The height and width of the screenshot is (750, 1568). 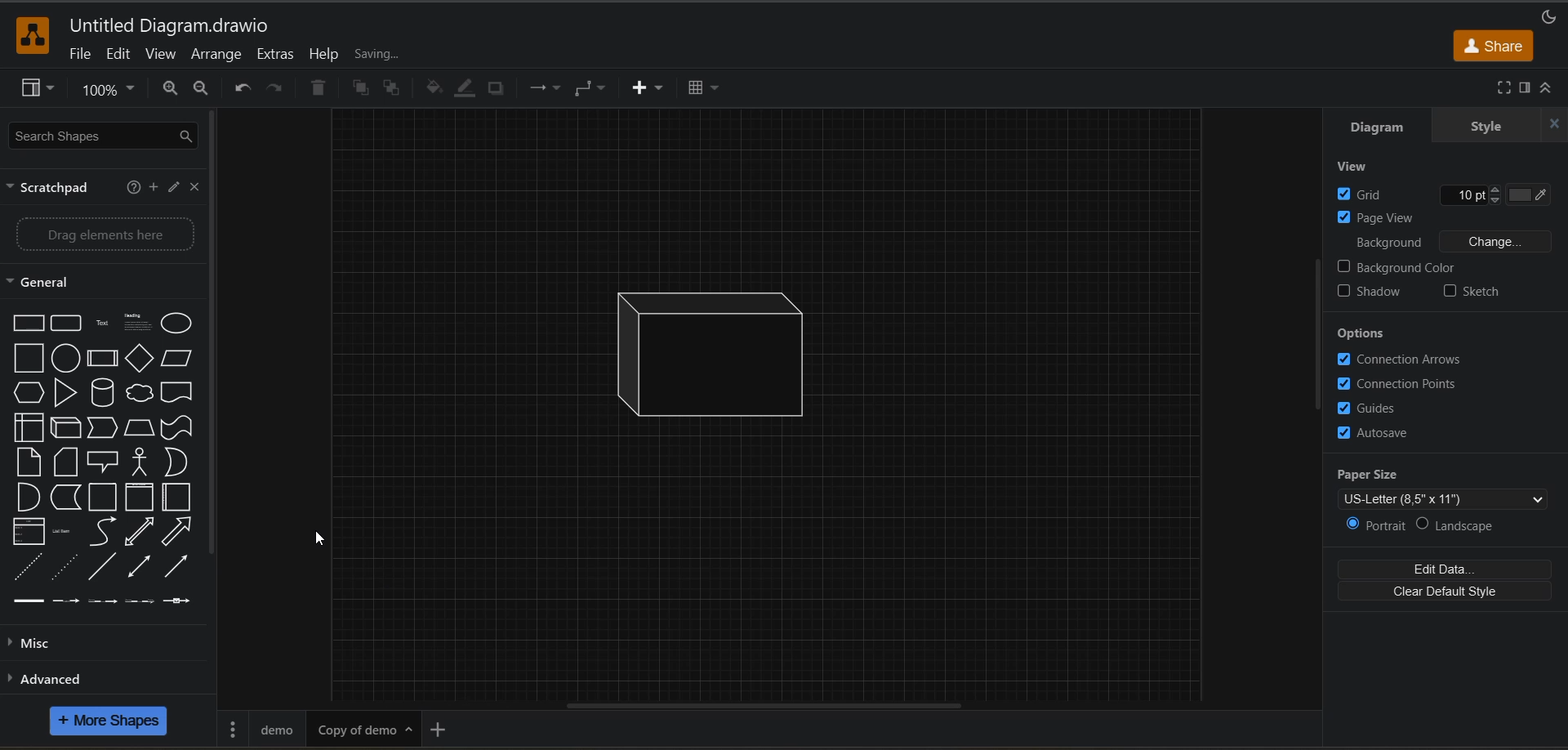 I want to click on portrait, so click(x=1379, y=527).